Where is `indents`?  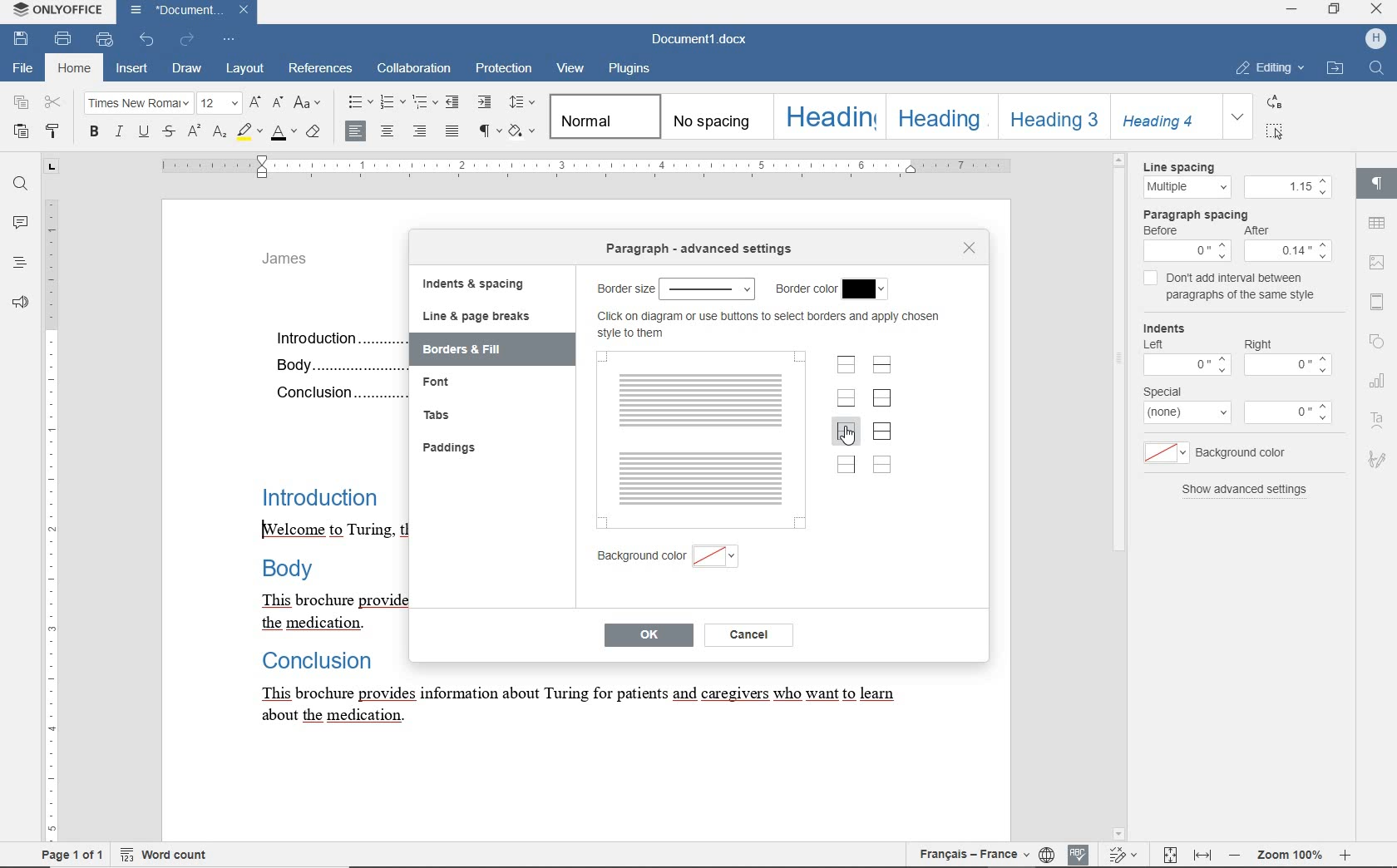
indents is located at coordinates (1172, 327).